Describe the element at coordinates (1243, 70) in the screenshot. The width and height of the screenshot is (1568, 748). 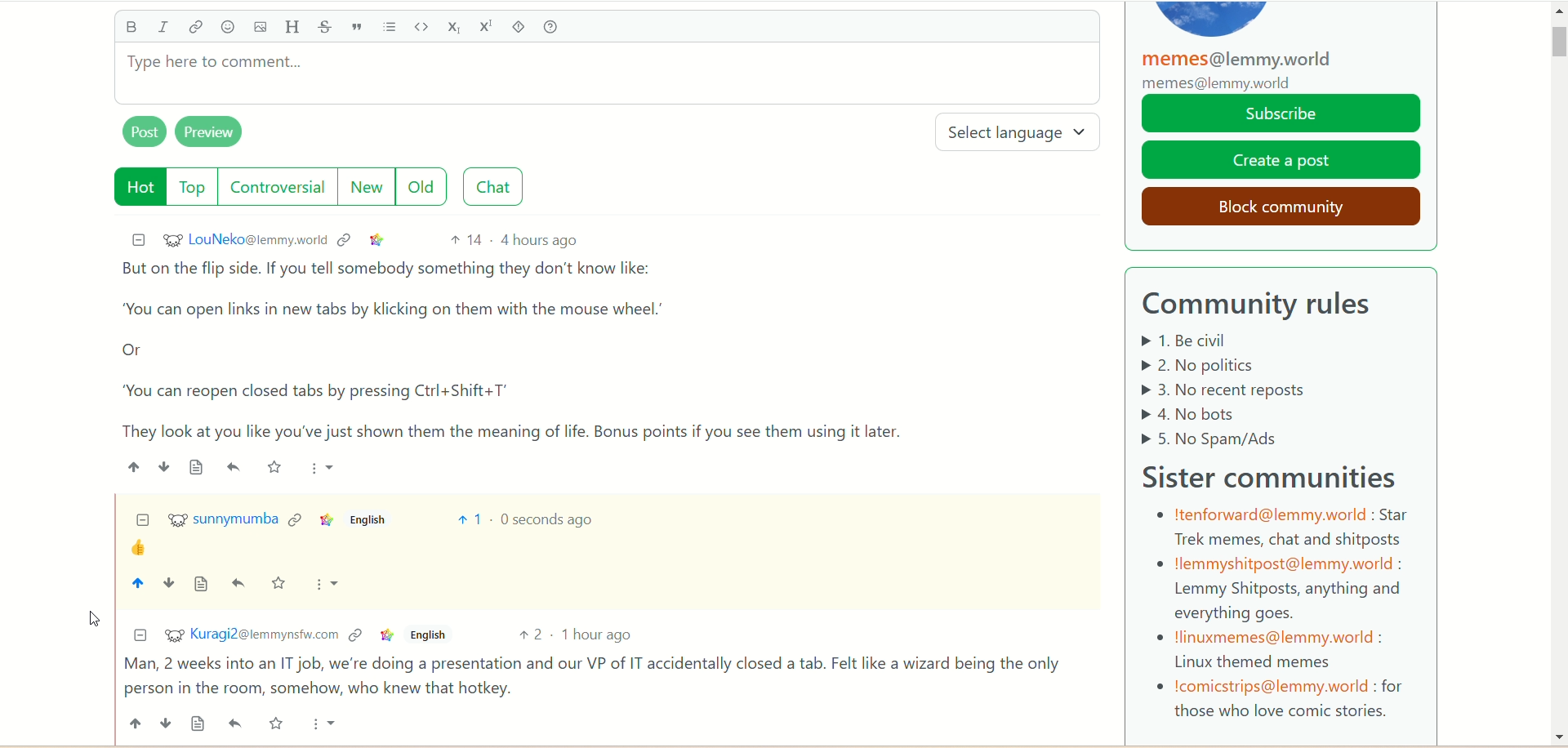
I see `memes@lemmy.world` at that location.